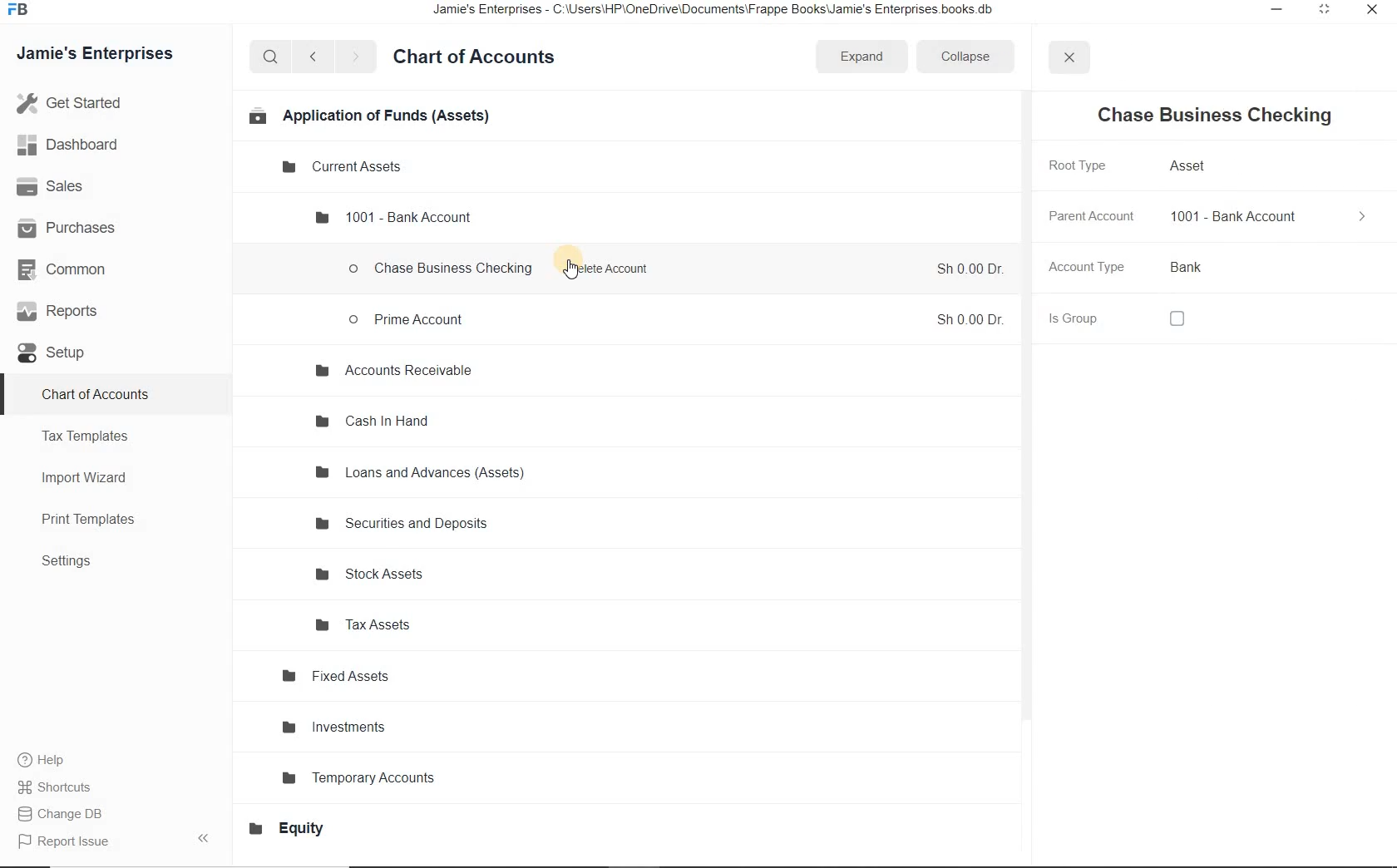 This screenshot has height=868, width=1397. I want to click on Root Type, so click(1078, 167).